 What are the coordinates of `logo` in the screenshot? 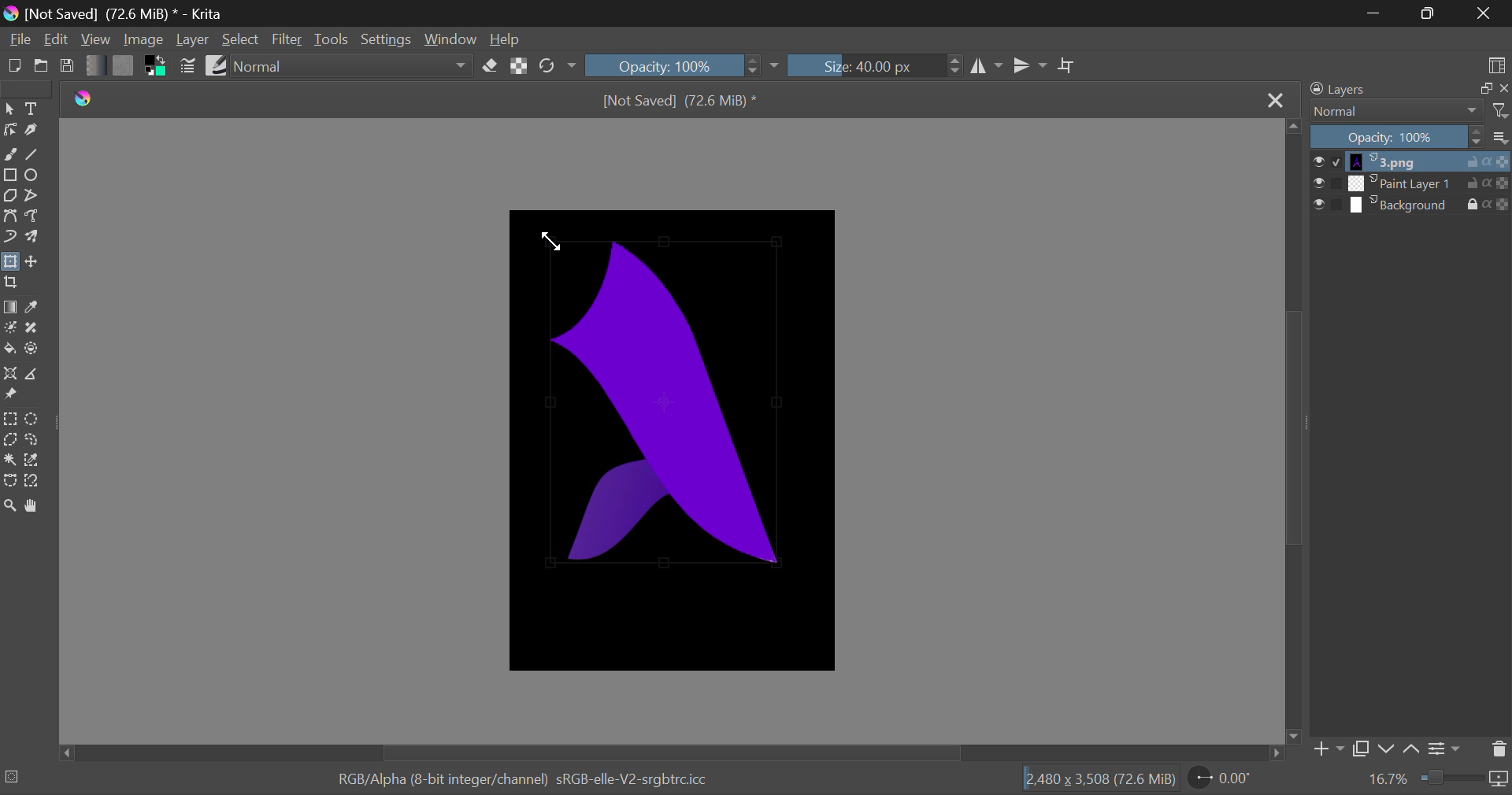 It's located at (13, 15).